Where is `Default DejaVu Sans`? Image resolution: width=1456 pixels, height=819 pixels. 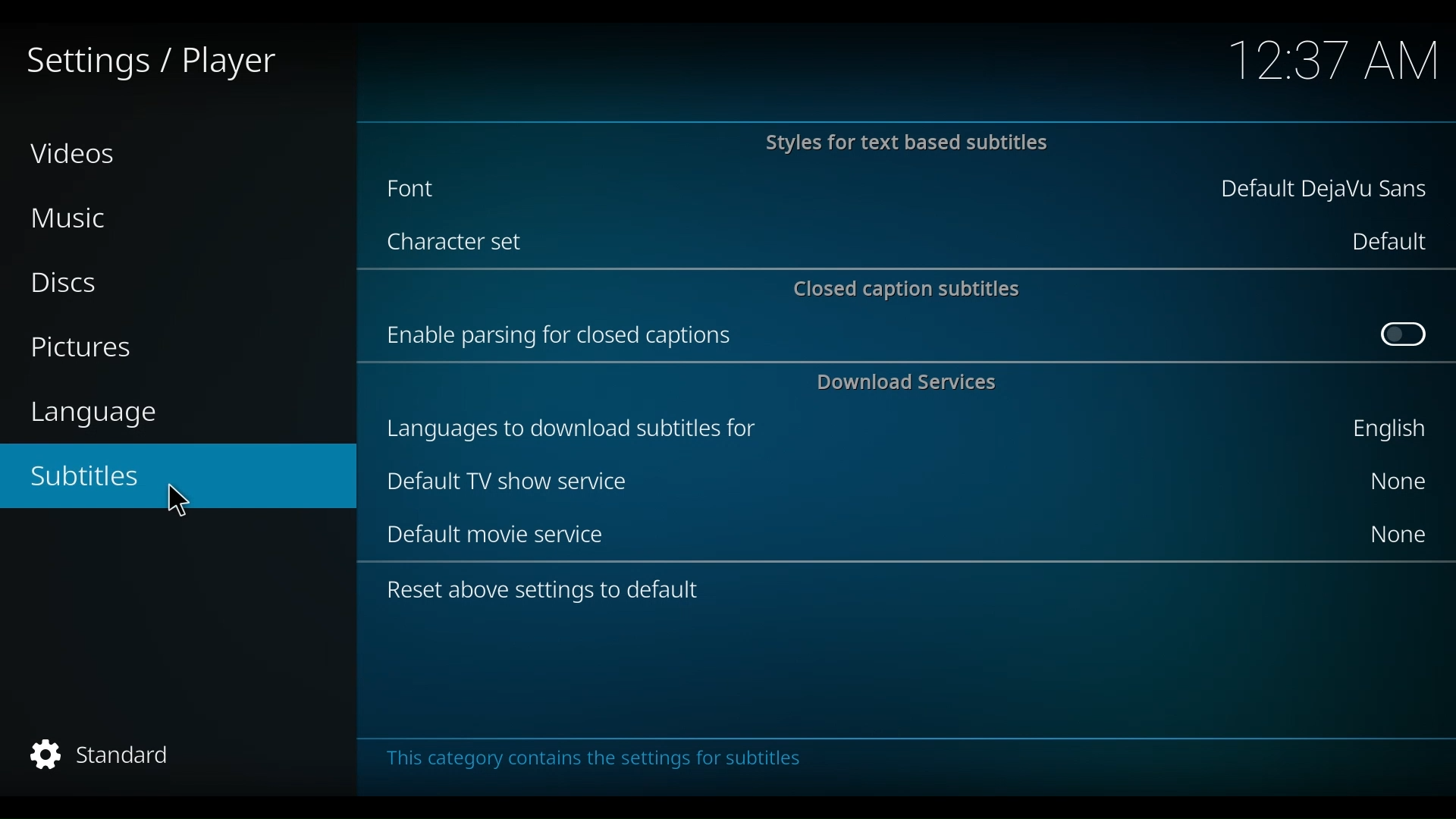
Default DejaVu Sans is located at coordinates (1325, 191).